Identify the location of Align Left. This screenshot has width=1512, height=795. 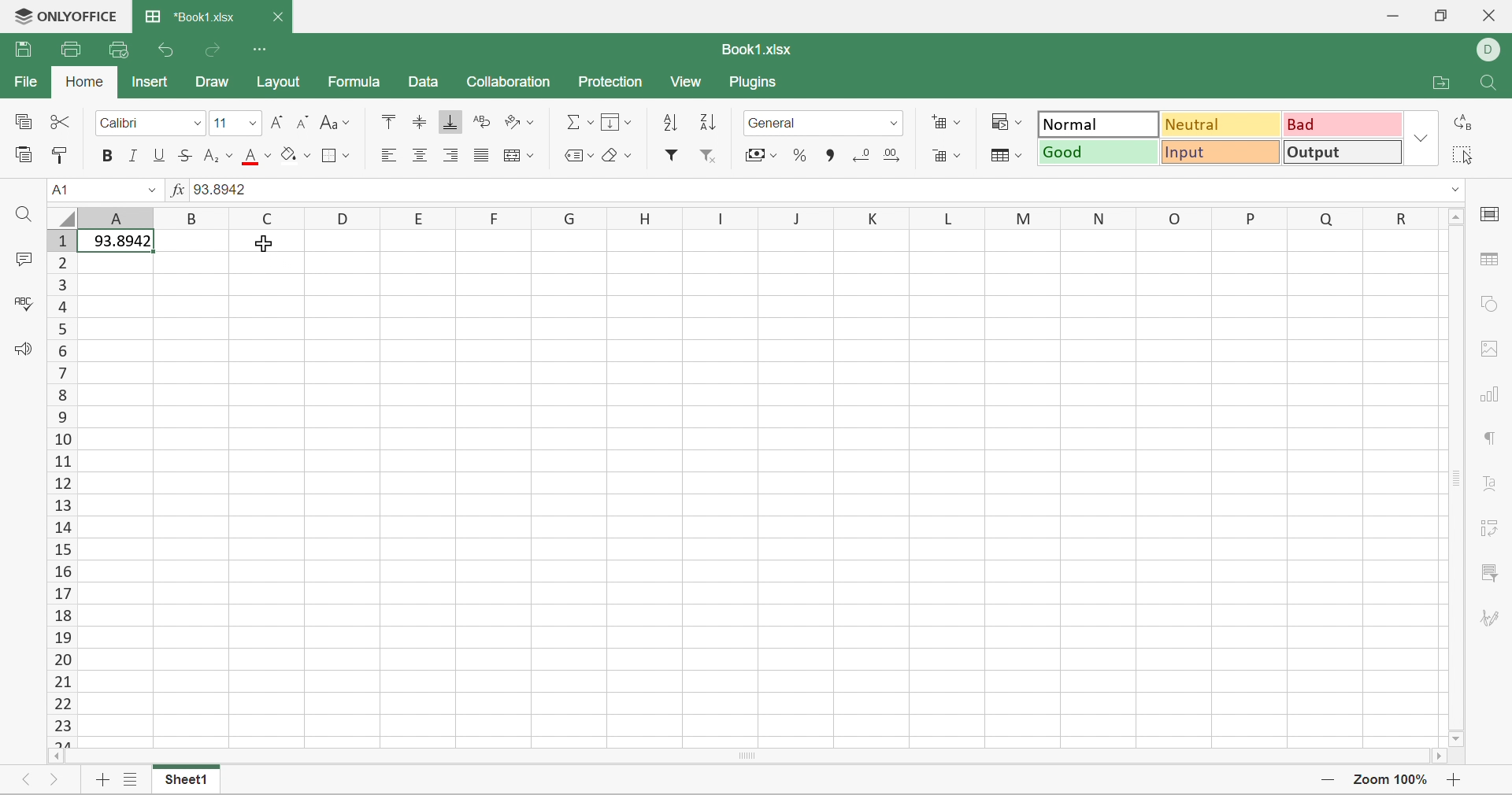
(387, 154).